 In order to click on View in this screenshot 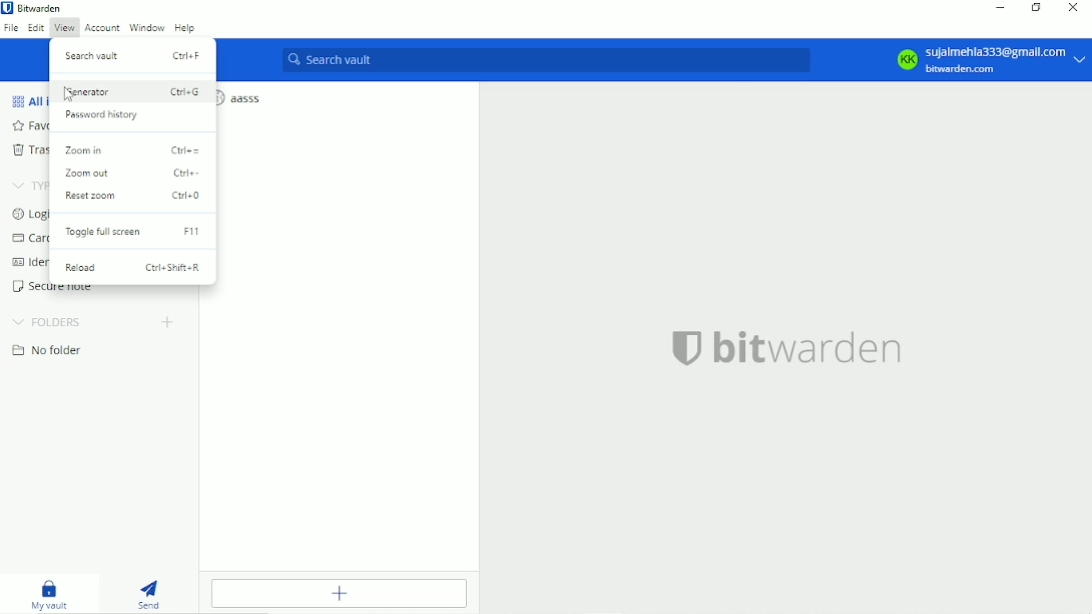, I will do `click(64, 29)`.